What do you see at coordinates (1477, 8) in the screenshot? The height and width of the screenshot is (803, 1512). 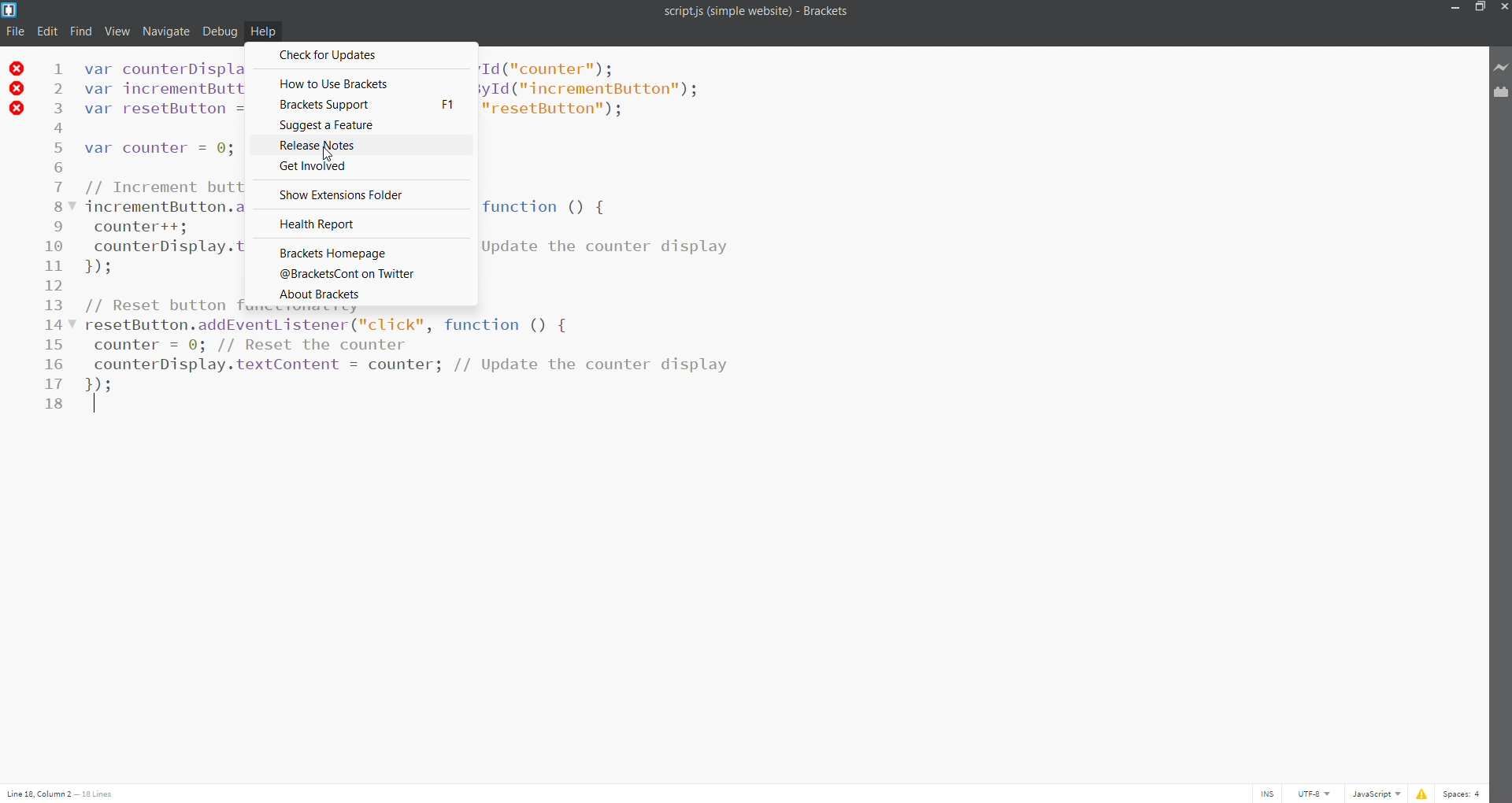 I see `maximize/restore` at bounding box center [1477, 8].